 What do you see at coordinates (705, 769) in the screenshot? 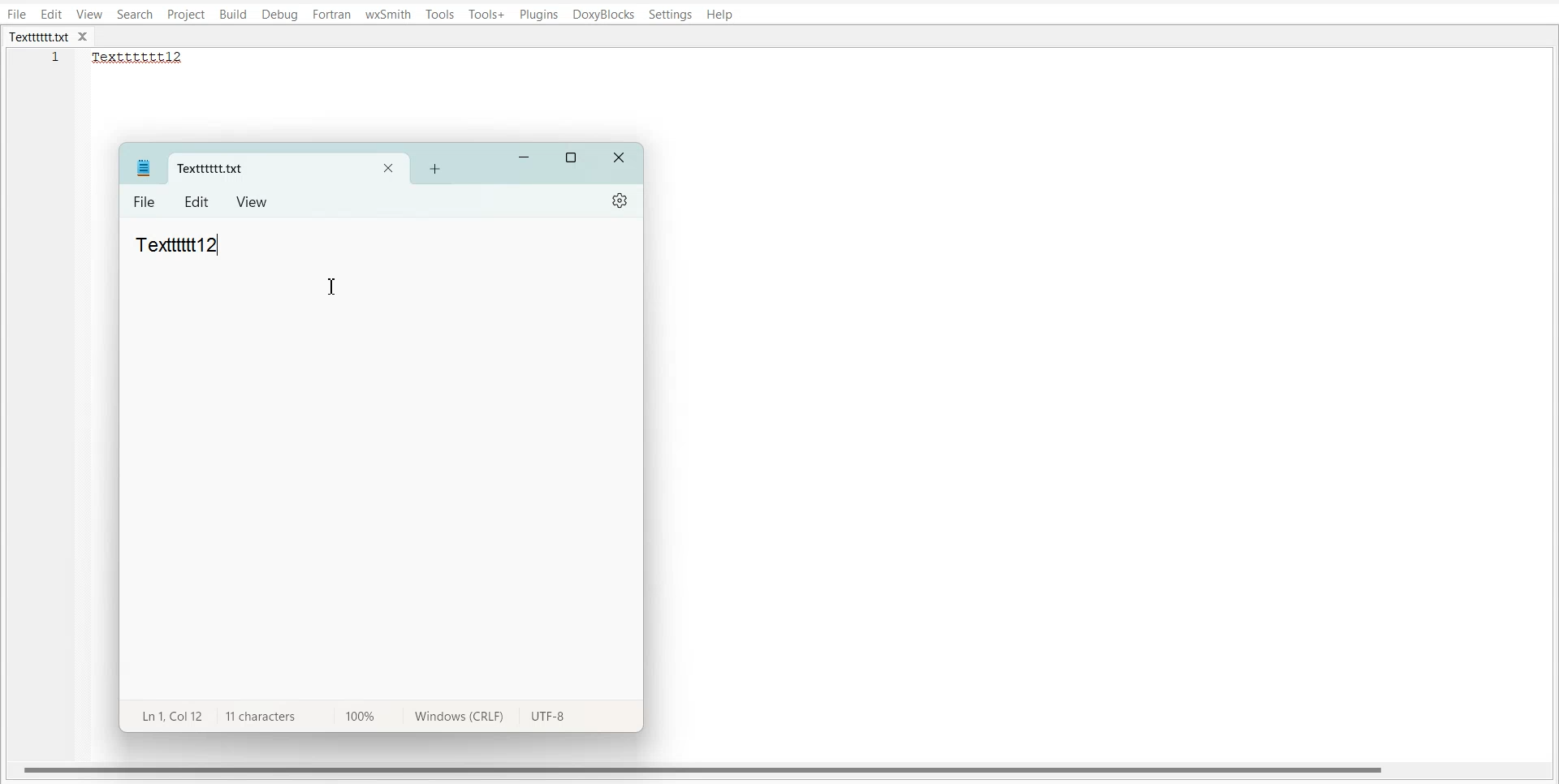
I see `Horizontal scroll bar` at bounding box center [705, 769].